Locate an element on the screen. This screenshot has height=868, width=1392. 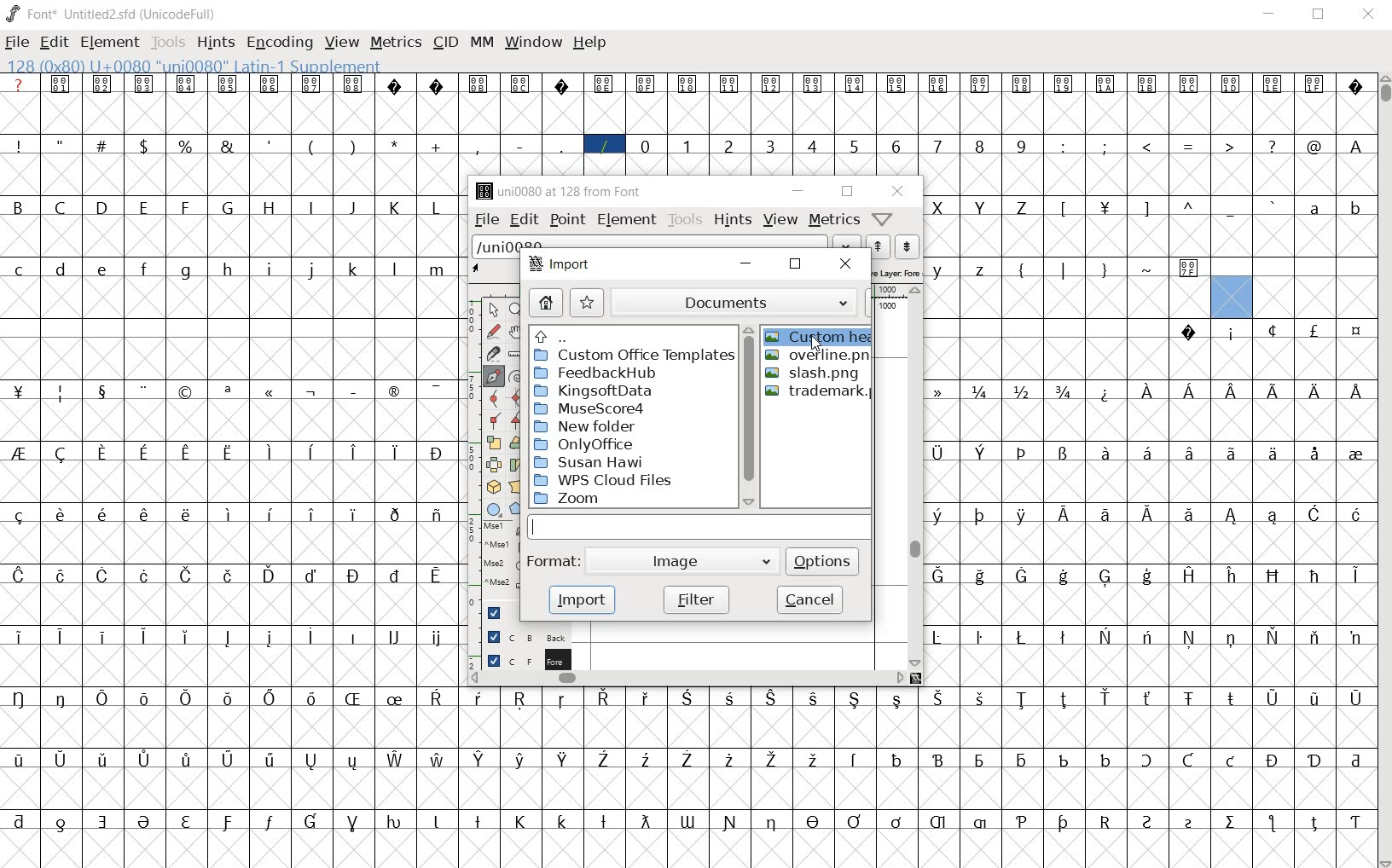
Encoding is located at coordinates (181, 12).